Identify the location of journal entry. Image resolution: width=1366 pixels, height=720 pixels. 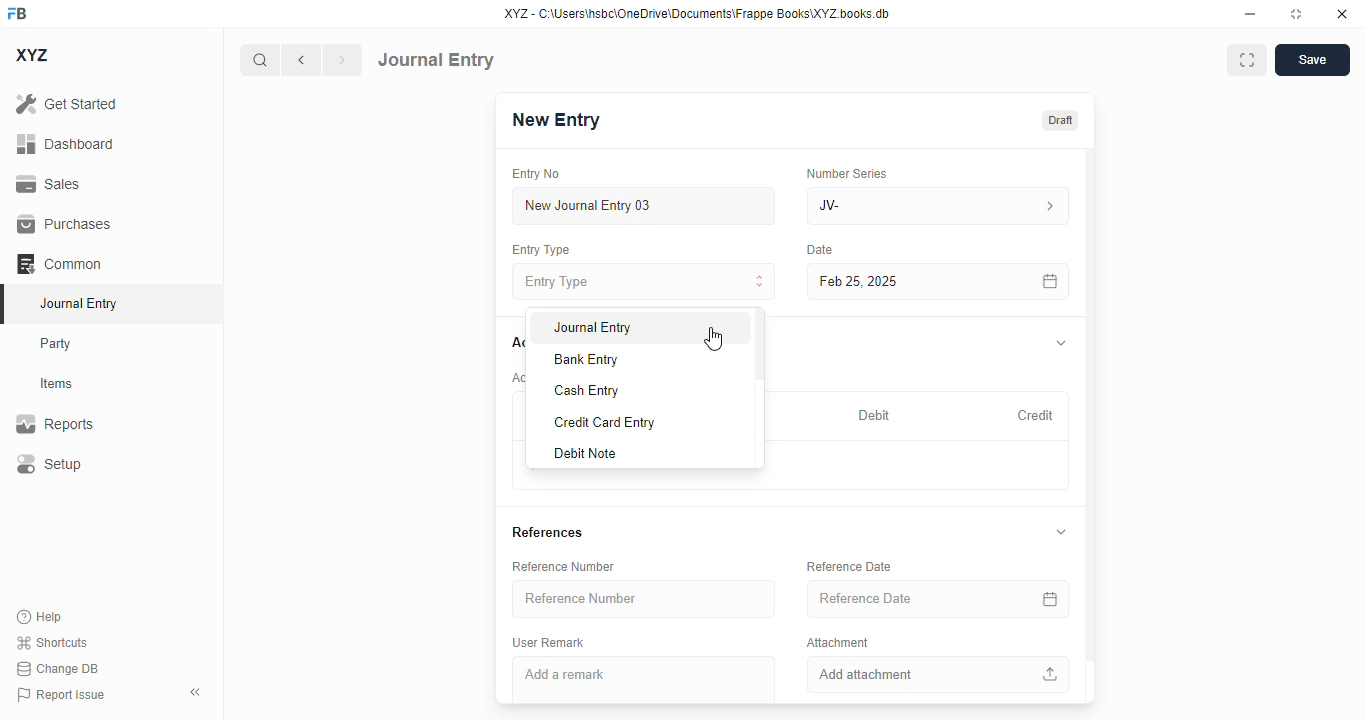
(436, 60).